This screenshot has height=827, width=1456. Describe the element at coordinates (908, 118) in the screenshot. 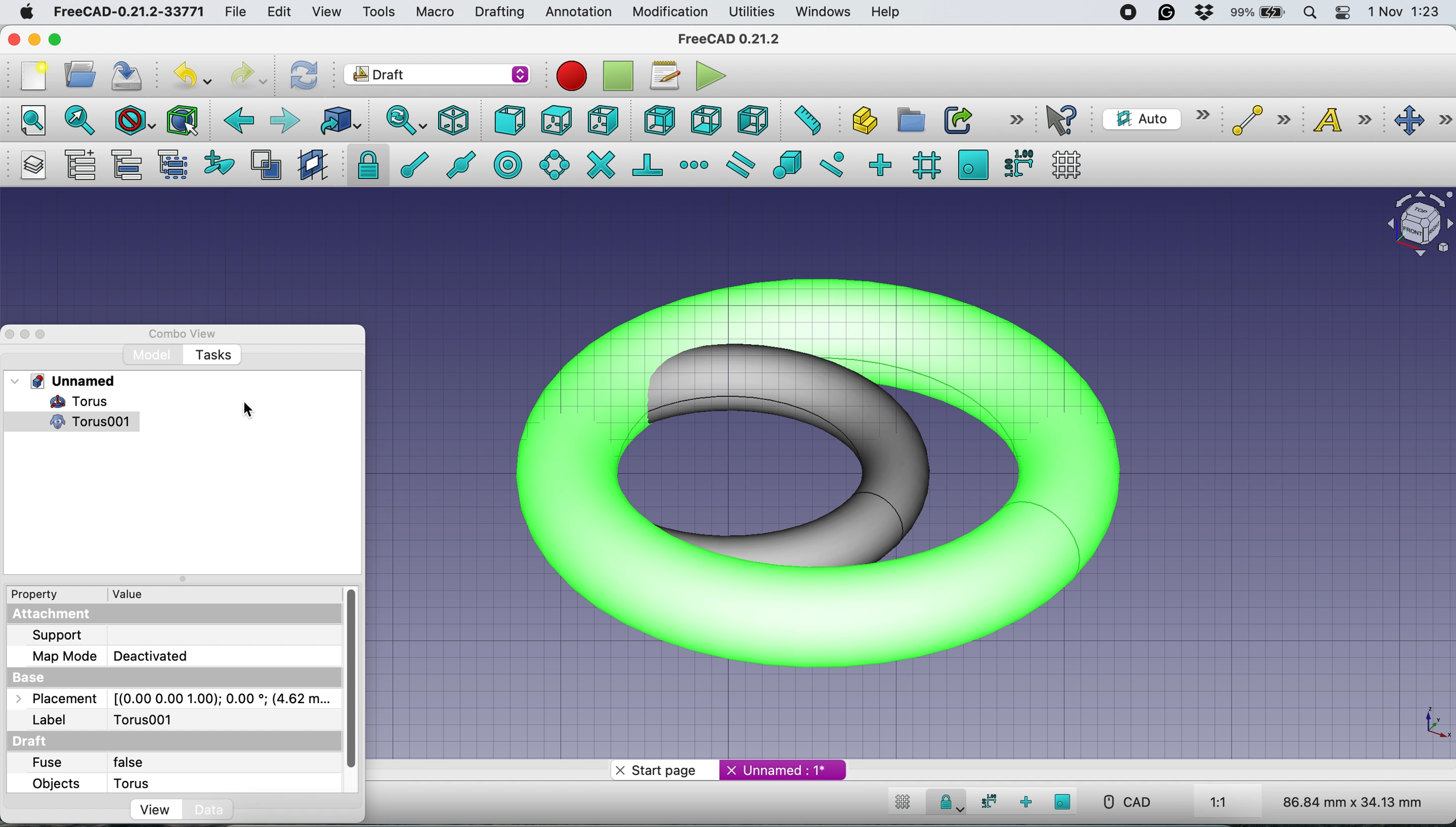

I see `create group` at that location.